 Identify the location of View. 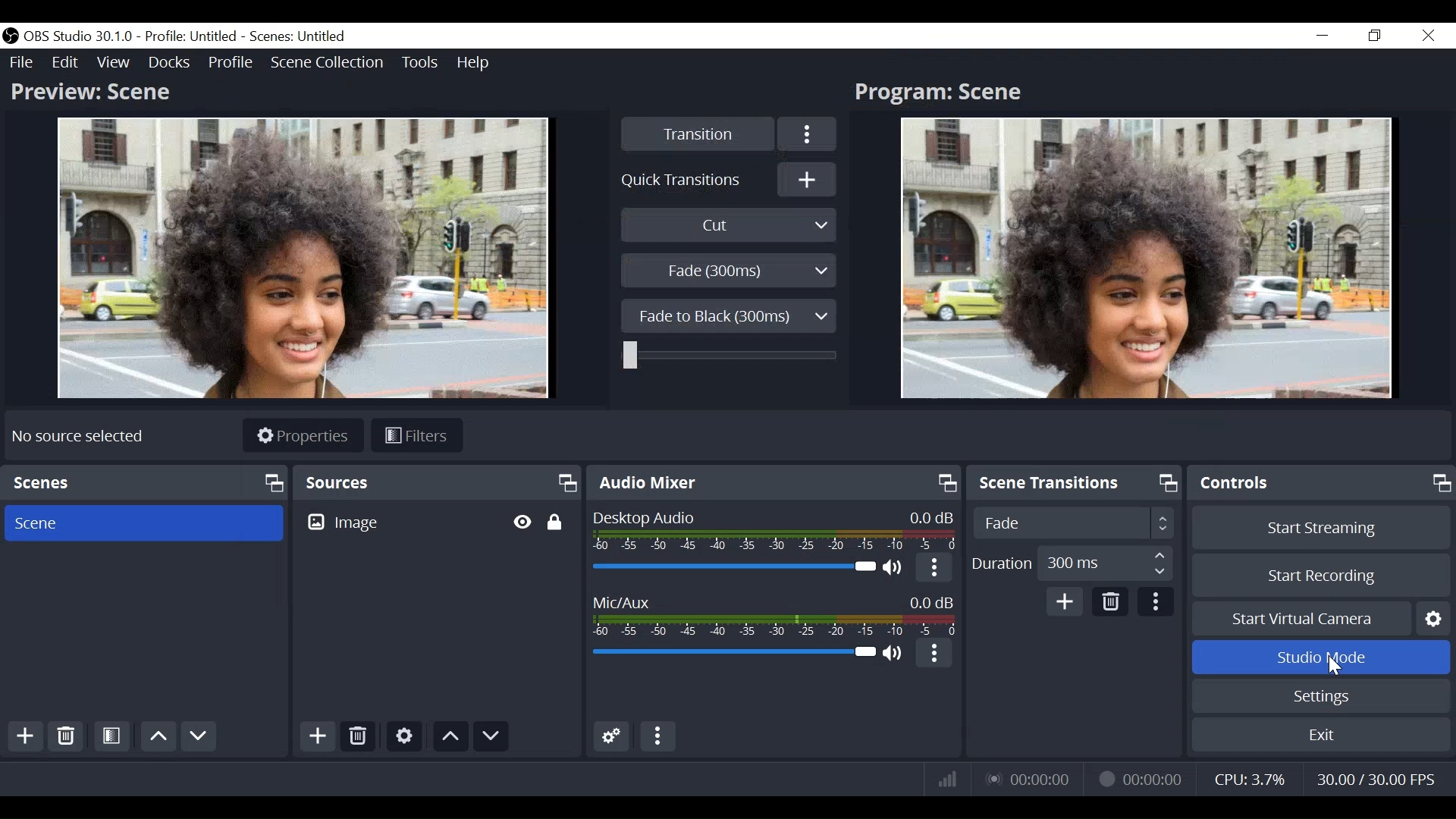
(115, 63).